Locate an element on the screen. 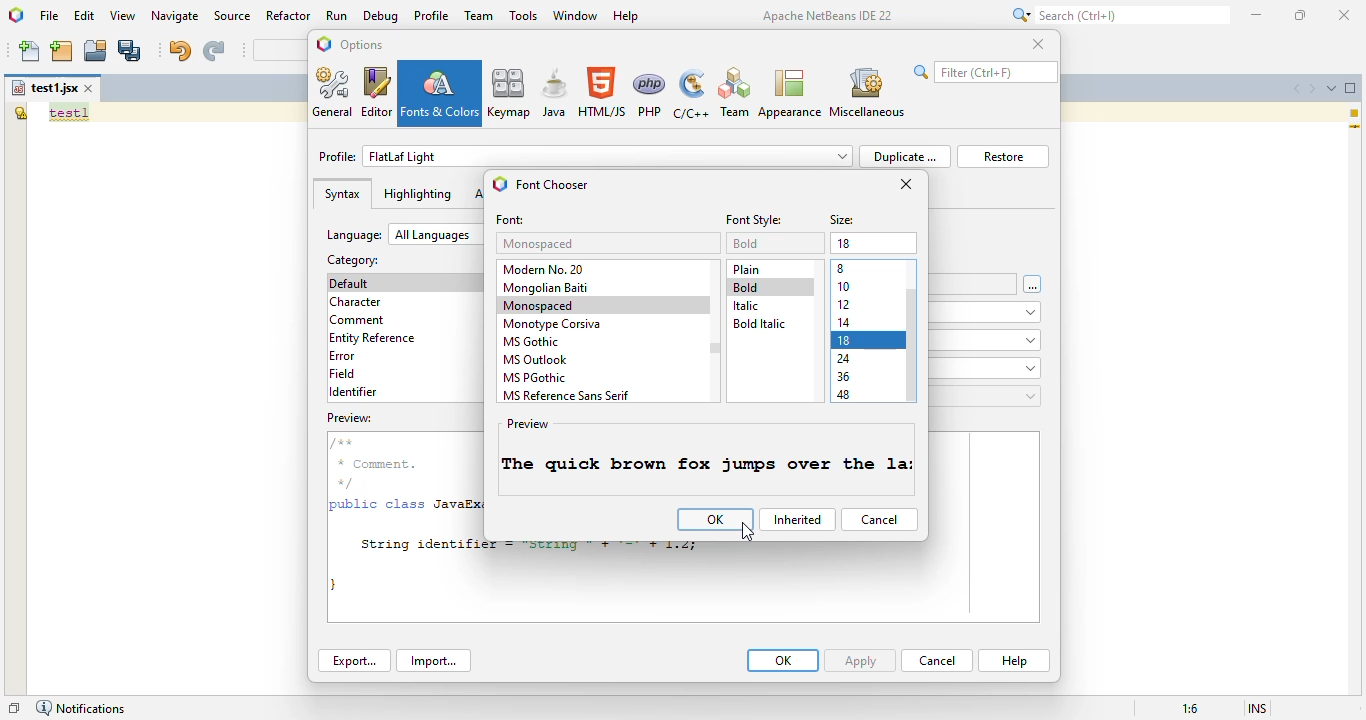 Image resolution: width=1366 pixels, height=720 pixels. restore window group is located at coordinates (14, 708).